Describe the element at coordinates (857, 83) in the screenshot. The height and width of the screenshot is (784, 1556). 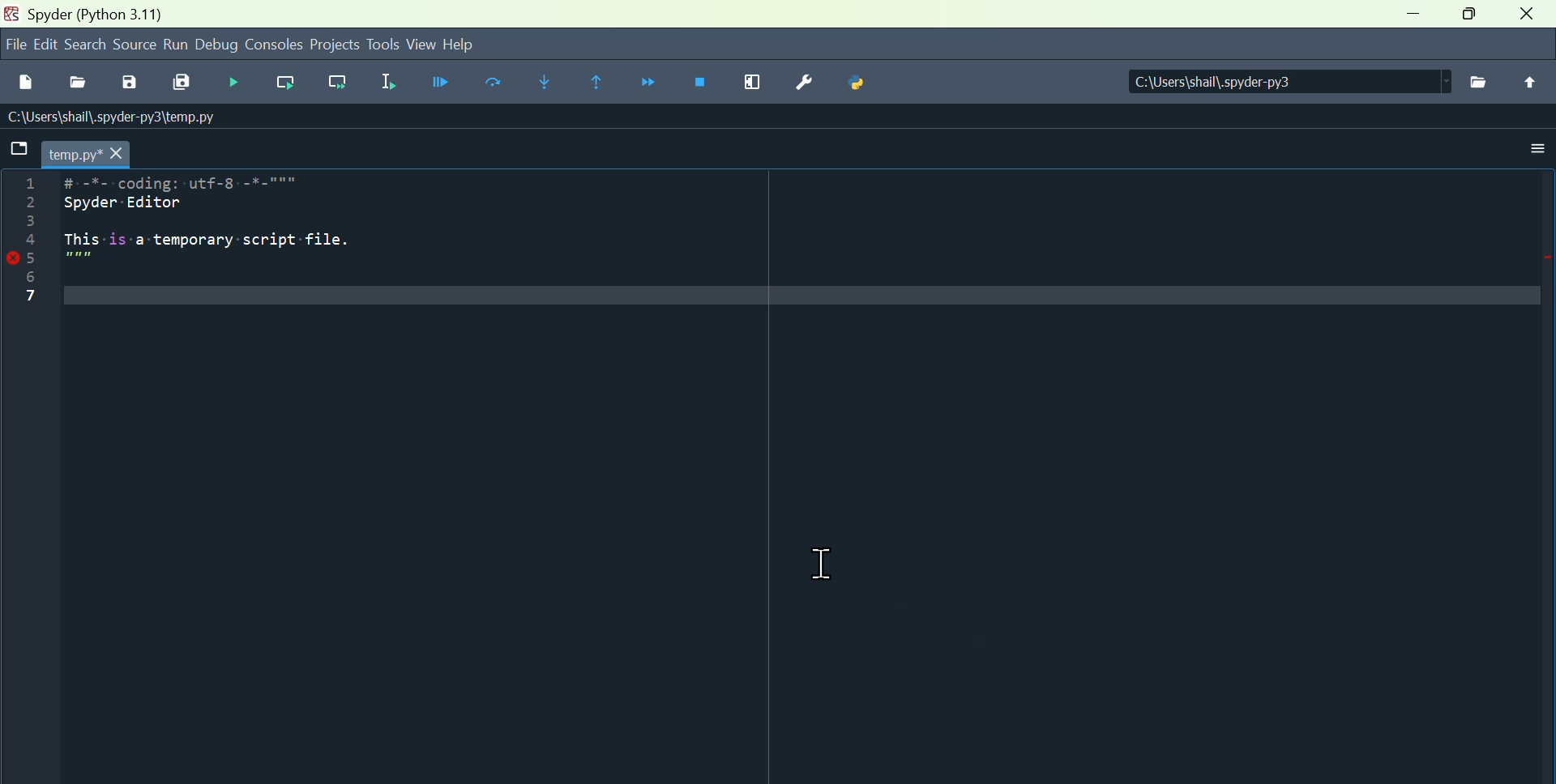
I see `Python path manager` at that location.